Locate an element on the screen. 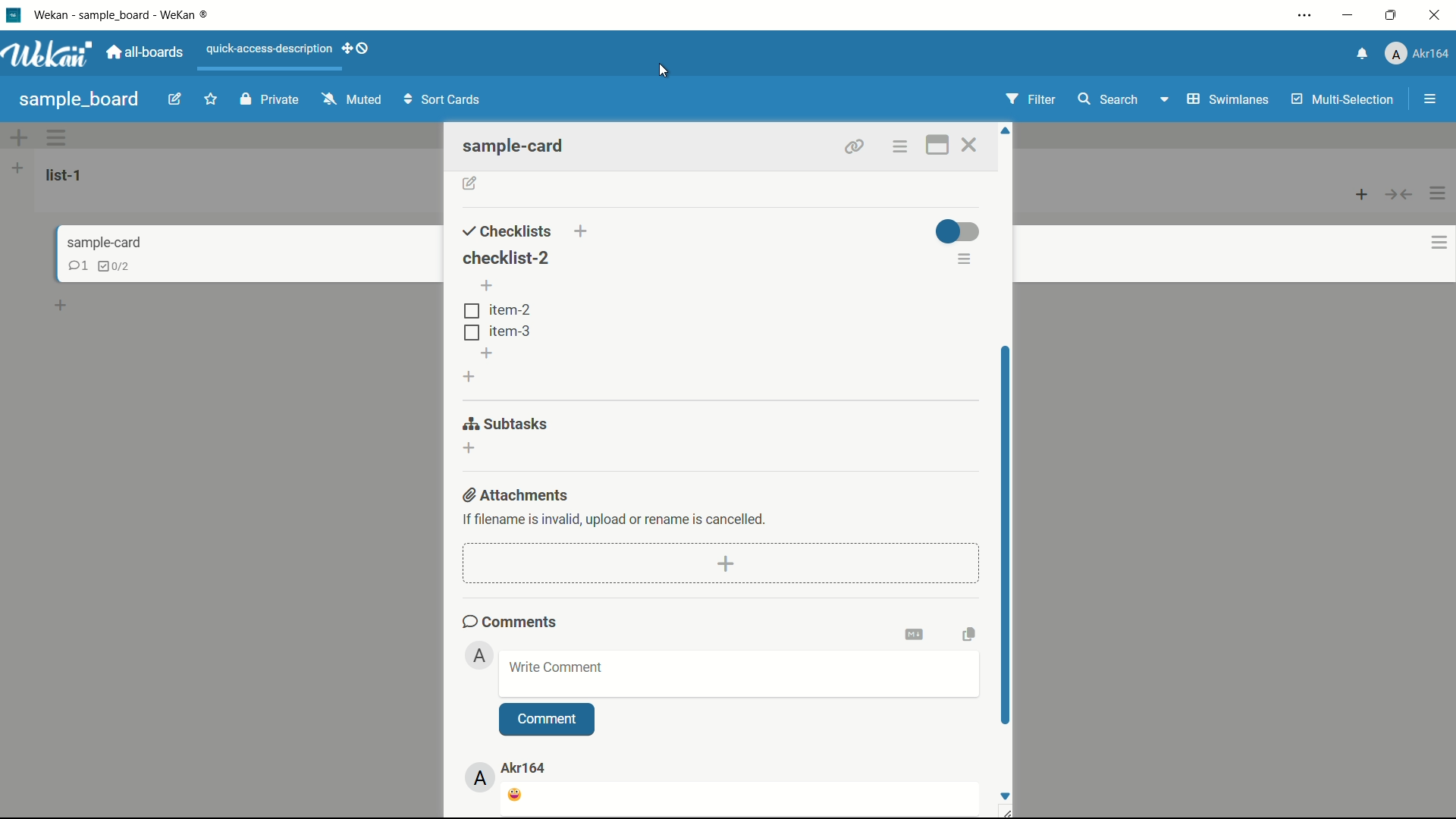 The height and width of the screenshot is (819, 1456). add attachment is located at coordinates (727, 563).